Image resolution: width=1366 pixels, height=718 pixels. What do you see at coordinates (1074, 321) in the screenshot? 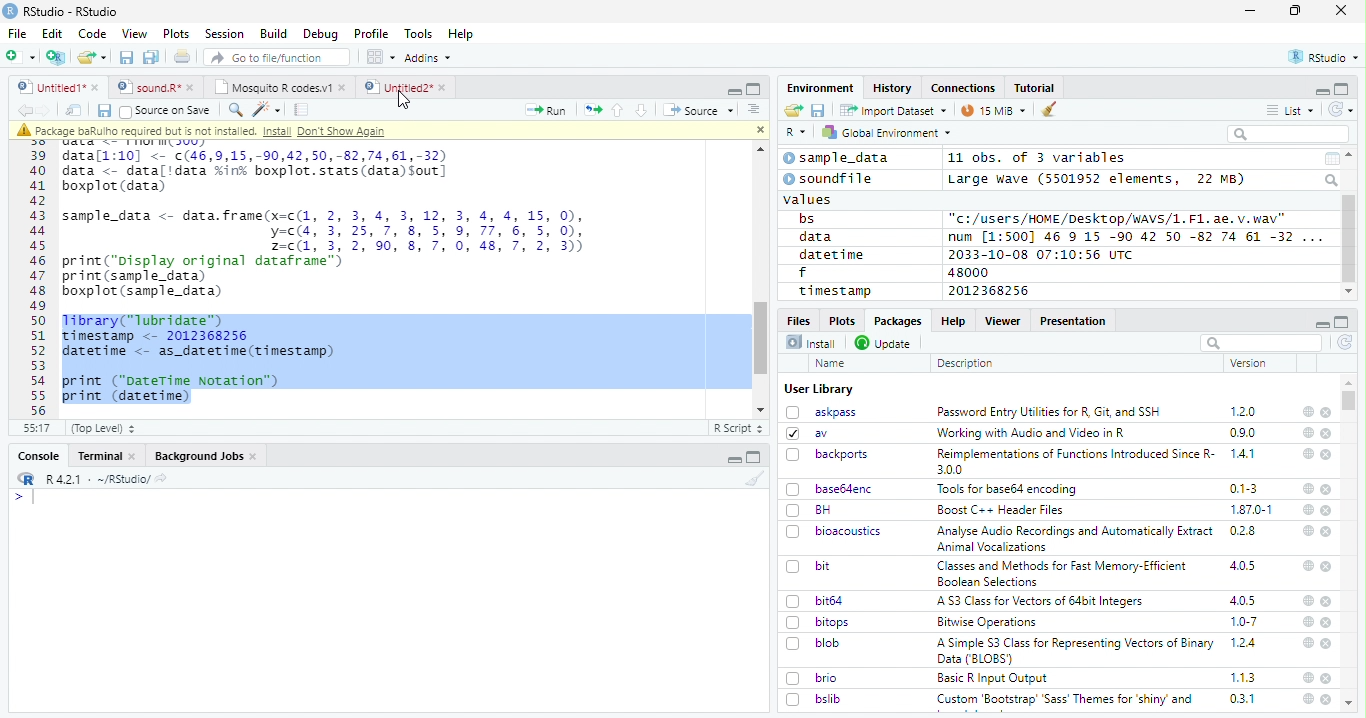
I see `Presentation` at bounding box center [1074, 321].